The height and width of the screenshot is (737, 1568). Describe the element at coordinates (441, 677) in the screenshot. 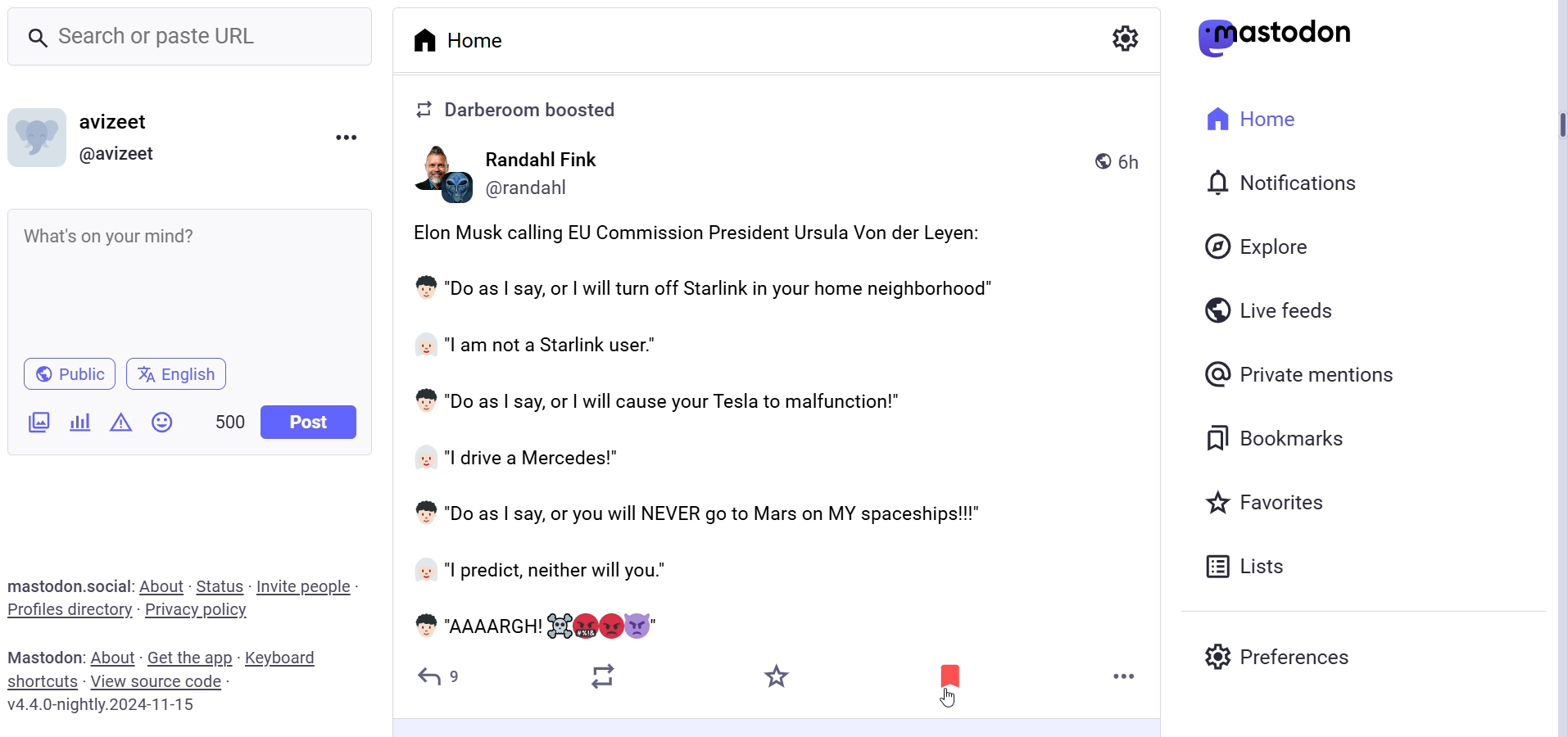

I see `Reply` at that location.